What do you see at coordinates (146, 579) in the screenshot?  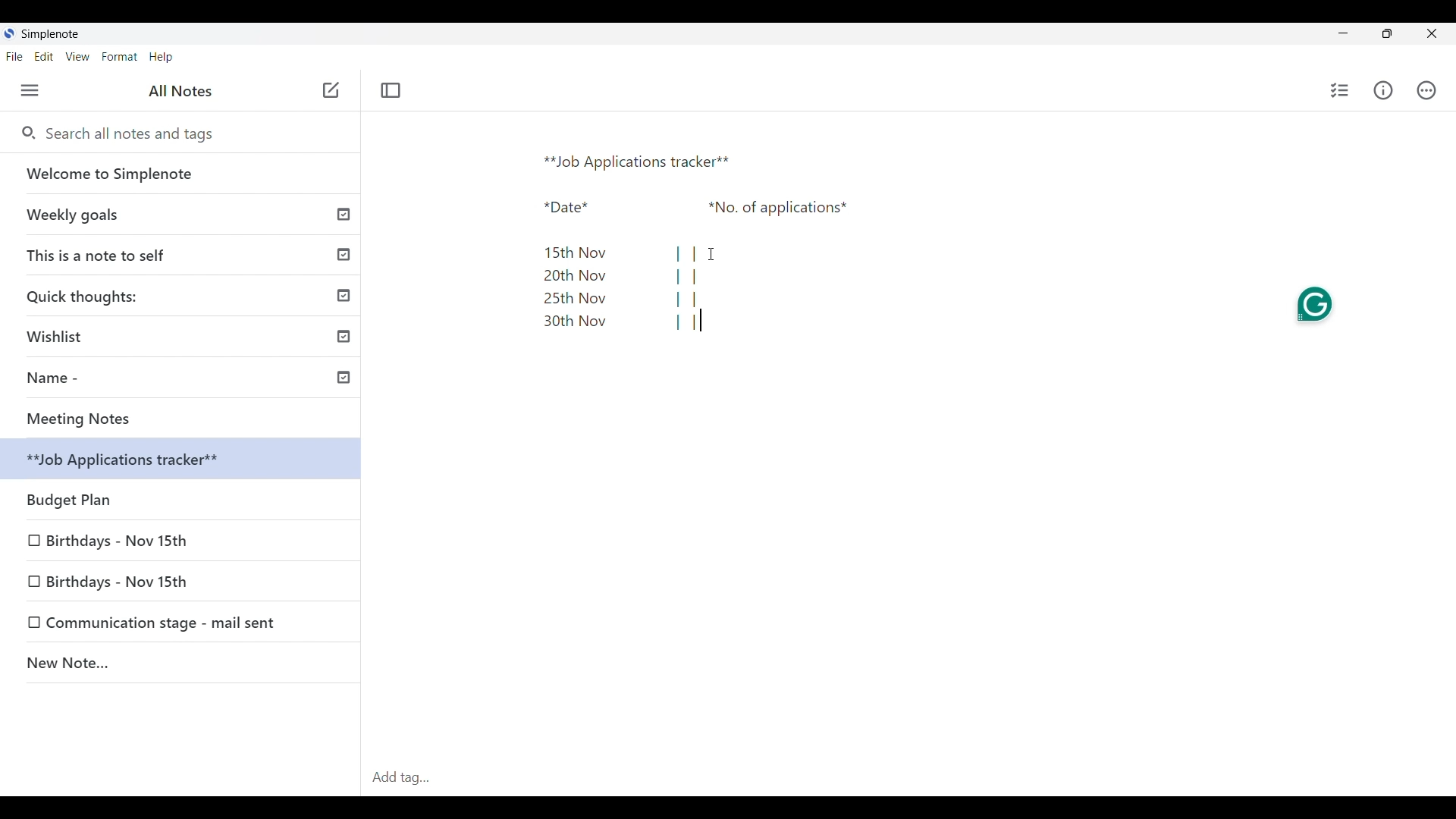 I see `Birthdays - Nov 15th` at bounding box center [146, 579].